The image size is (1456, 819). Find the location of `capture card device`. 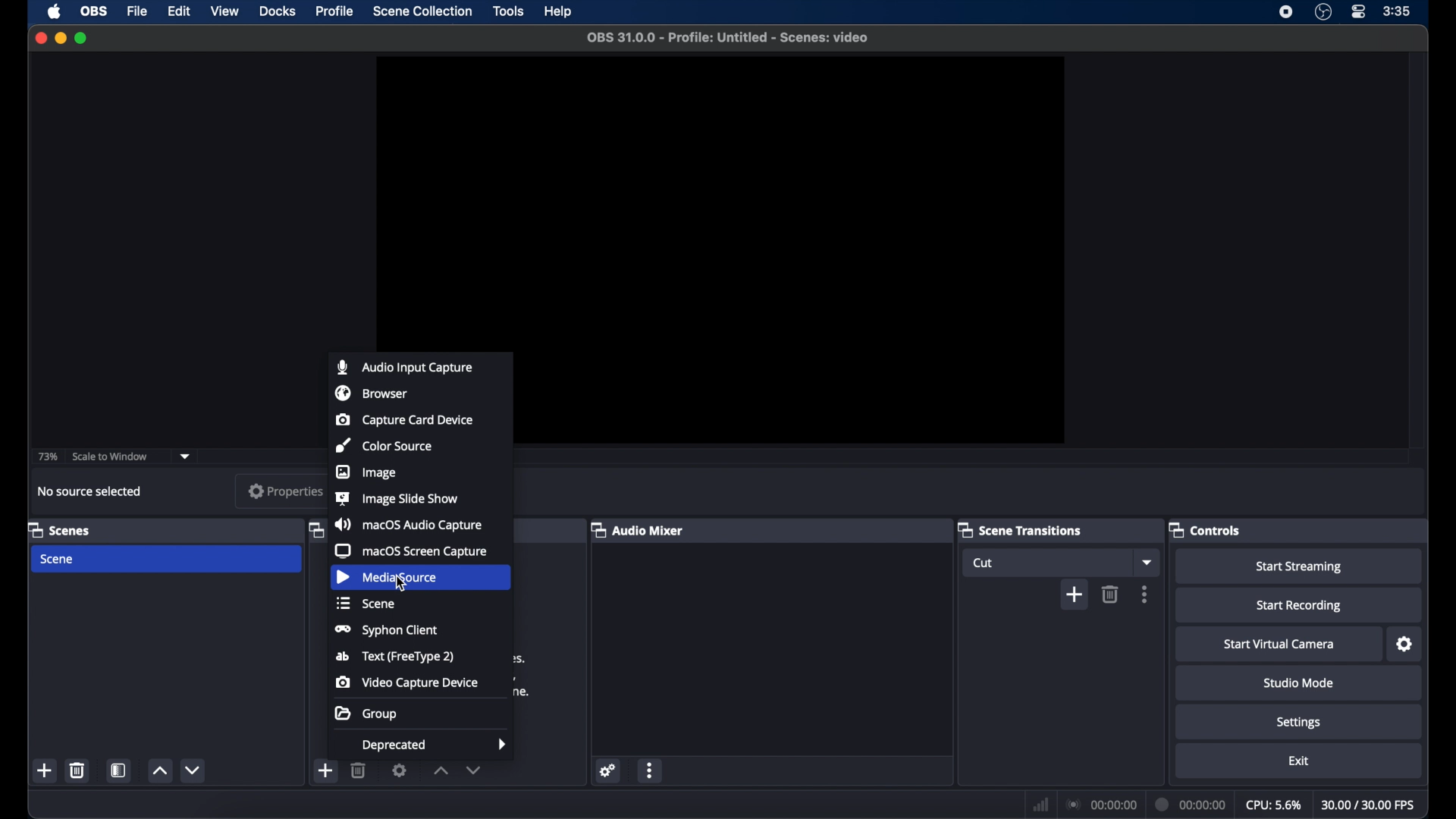

capture card device is located at coordinates (403, 419).